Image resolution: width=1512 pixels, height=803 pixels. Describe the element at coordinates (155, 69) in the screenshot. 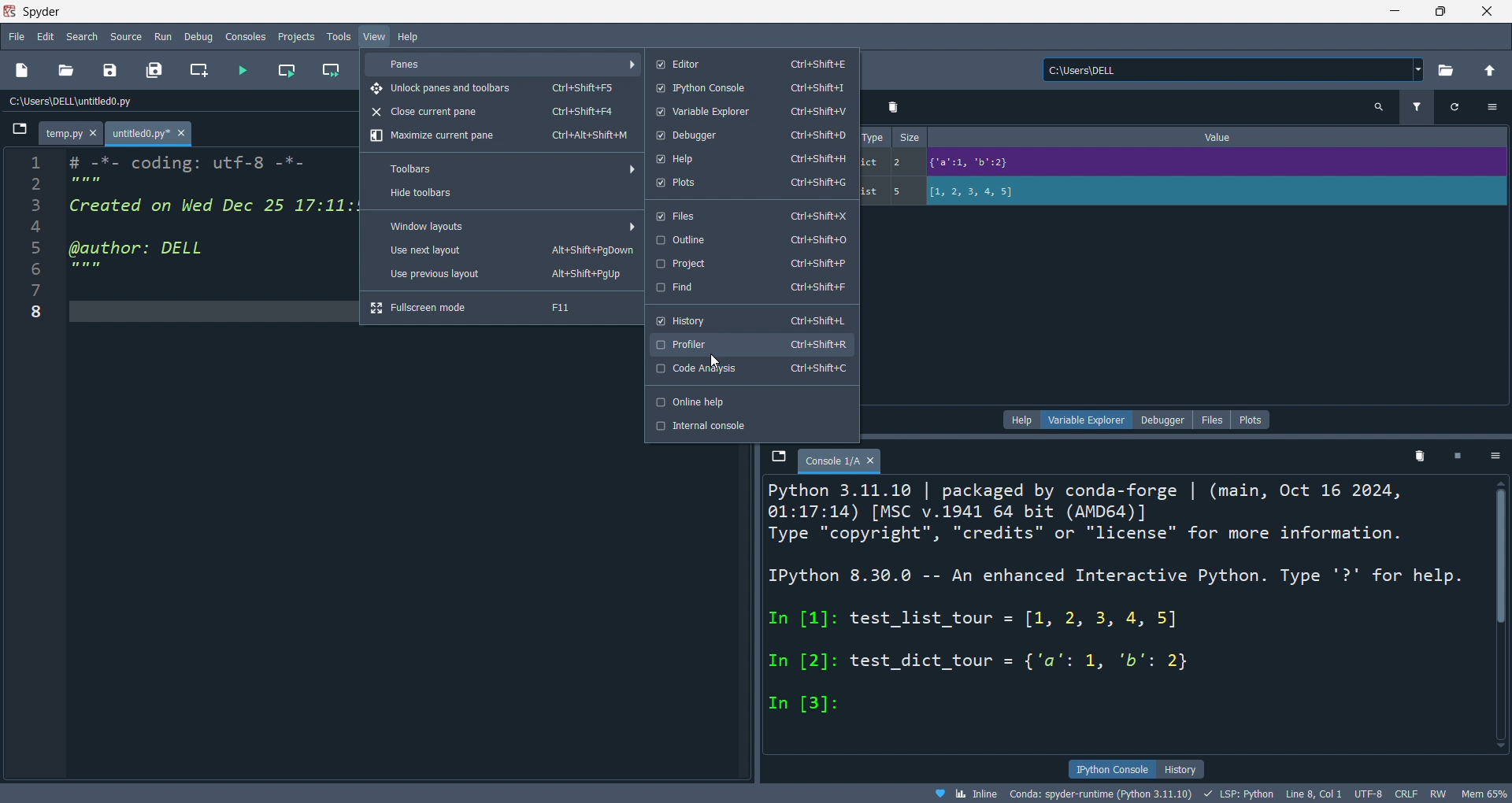

I see `save all` at that location.